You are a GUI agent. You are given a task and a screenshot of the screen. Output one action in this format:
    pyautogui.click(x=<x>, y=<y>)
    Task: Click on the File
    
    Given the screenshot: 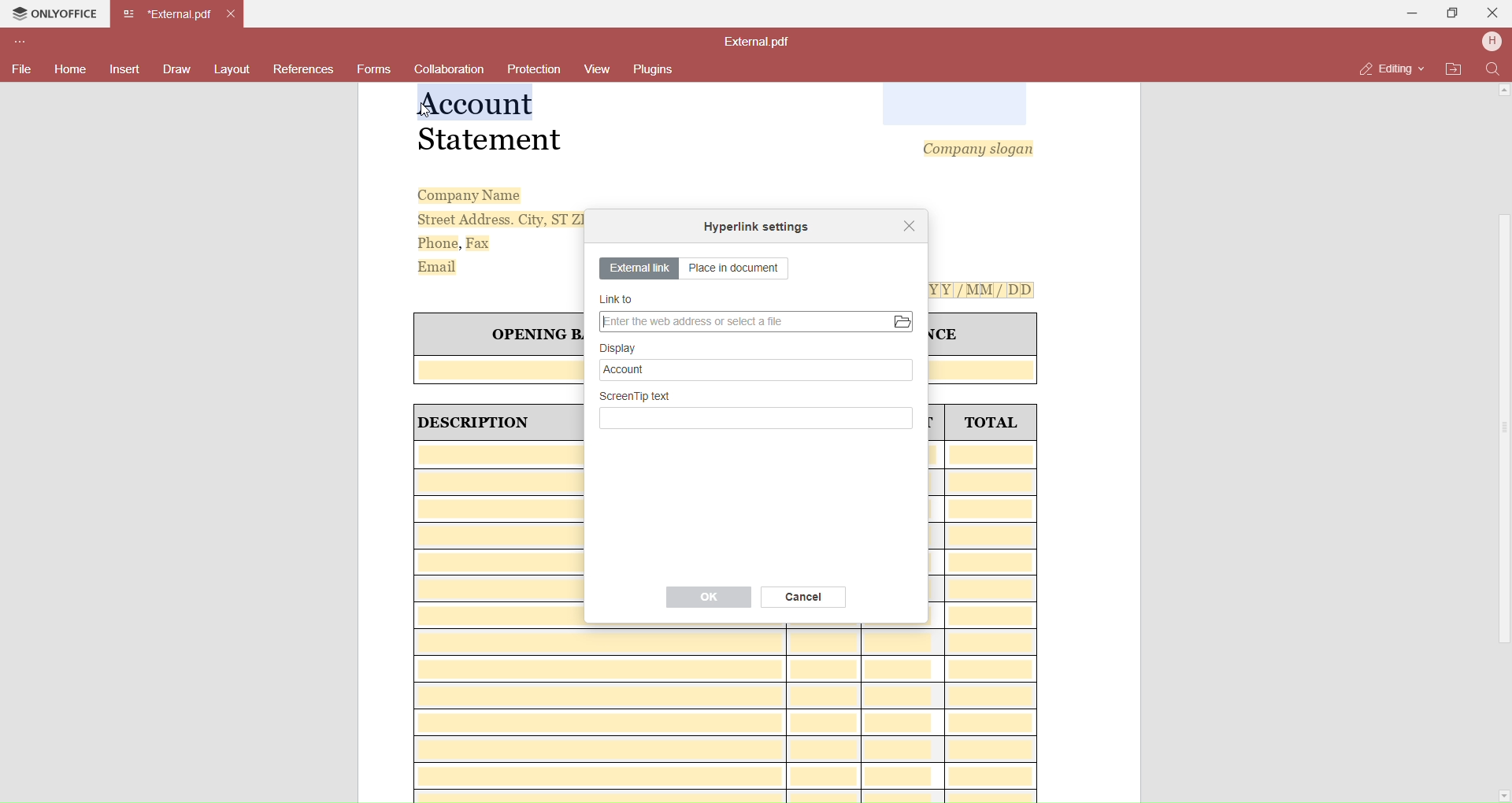 What is the action you would take?
    pyautogui.click(x=22, y=70)
    